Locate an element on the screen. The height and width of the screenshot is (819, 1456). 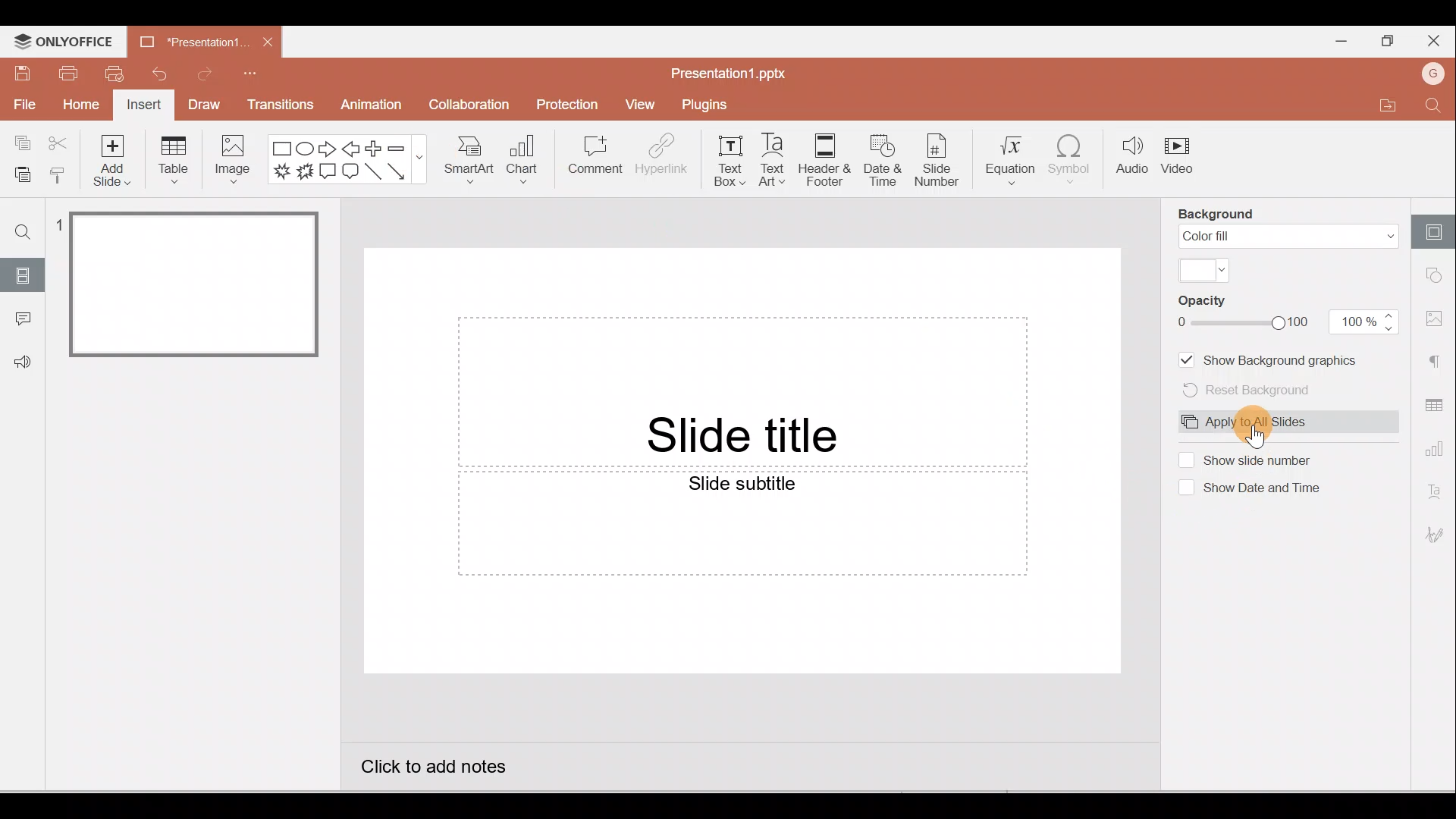
Explosion 2 is located at coordinates (304, 173).